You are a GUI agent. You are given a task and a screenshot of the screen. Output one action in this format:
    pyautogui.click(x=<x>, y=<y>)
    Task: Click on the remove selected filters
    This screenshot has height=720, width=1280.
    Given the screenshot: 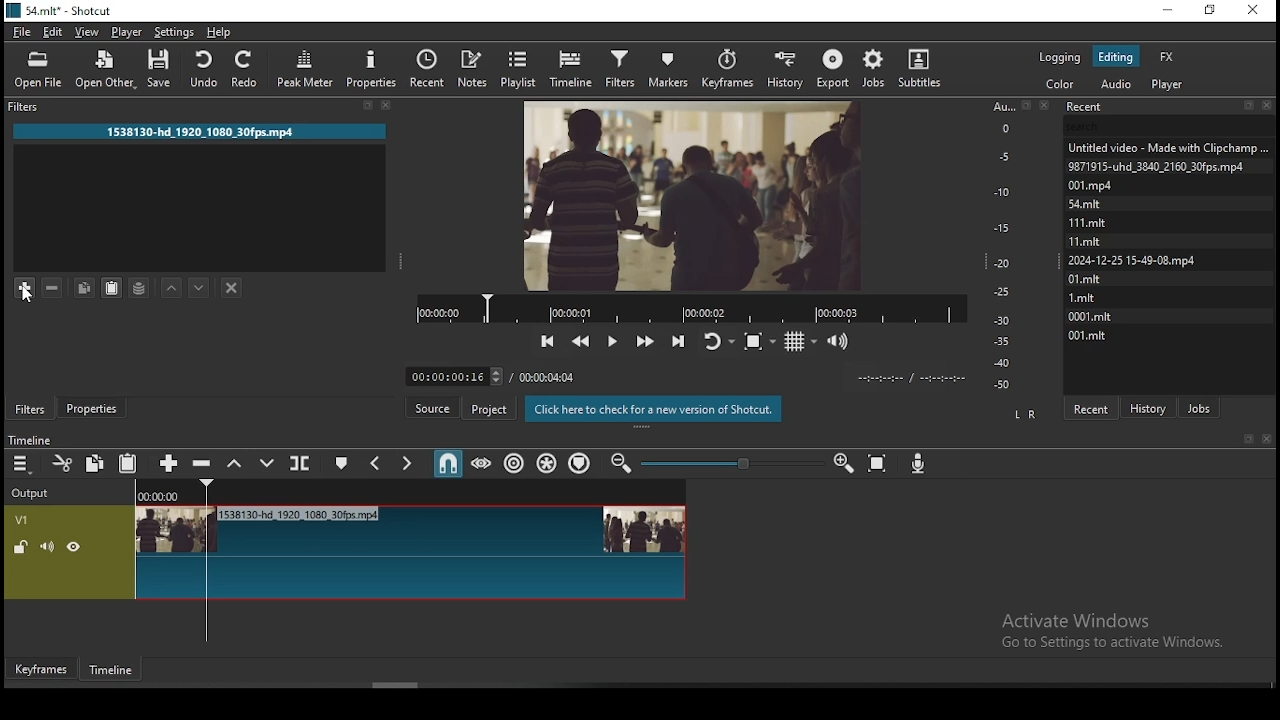 What is the action you would take?
    pyautogui.click(x=56, y=289)
    